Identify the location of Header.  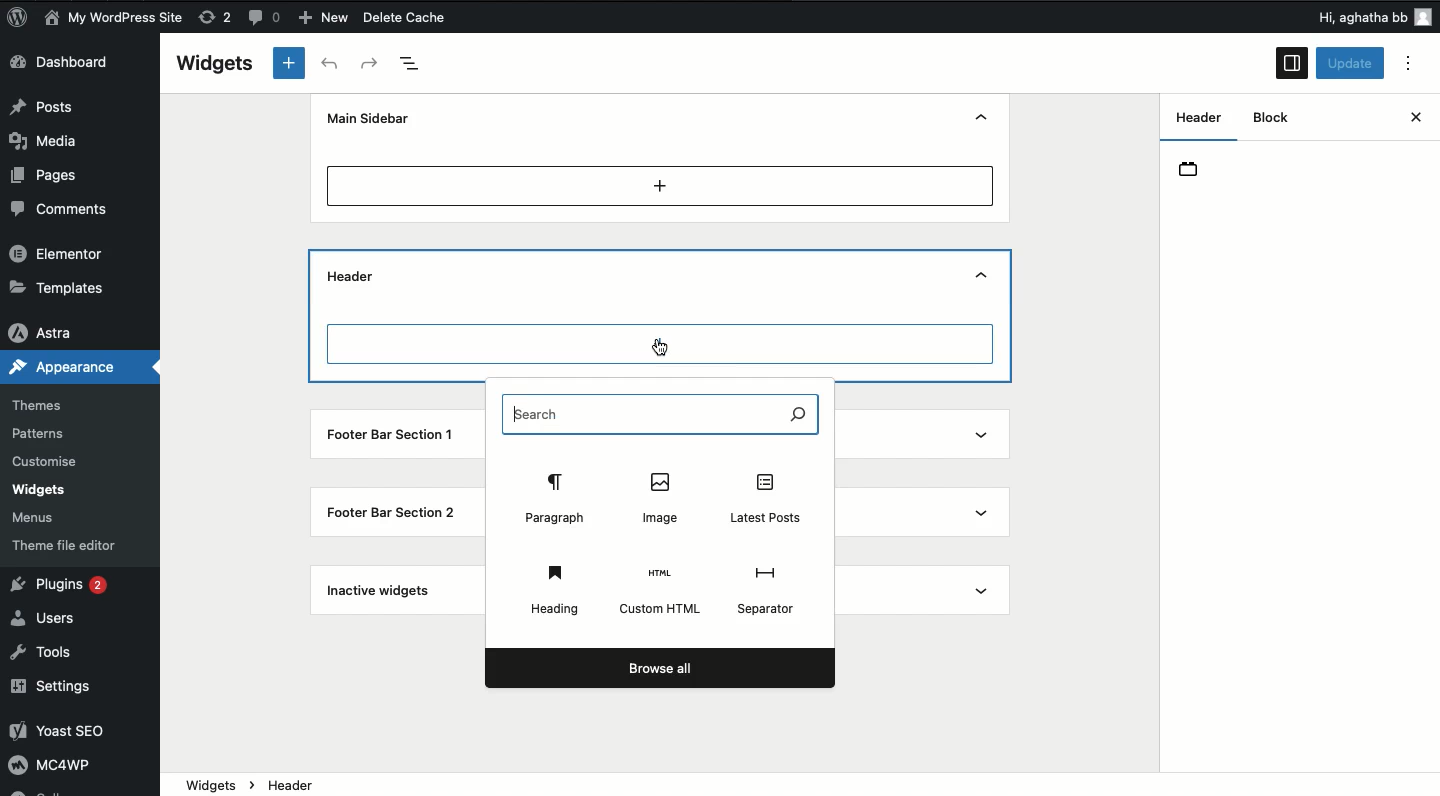
(352, 277).